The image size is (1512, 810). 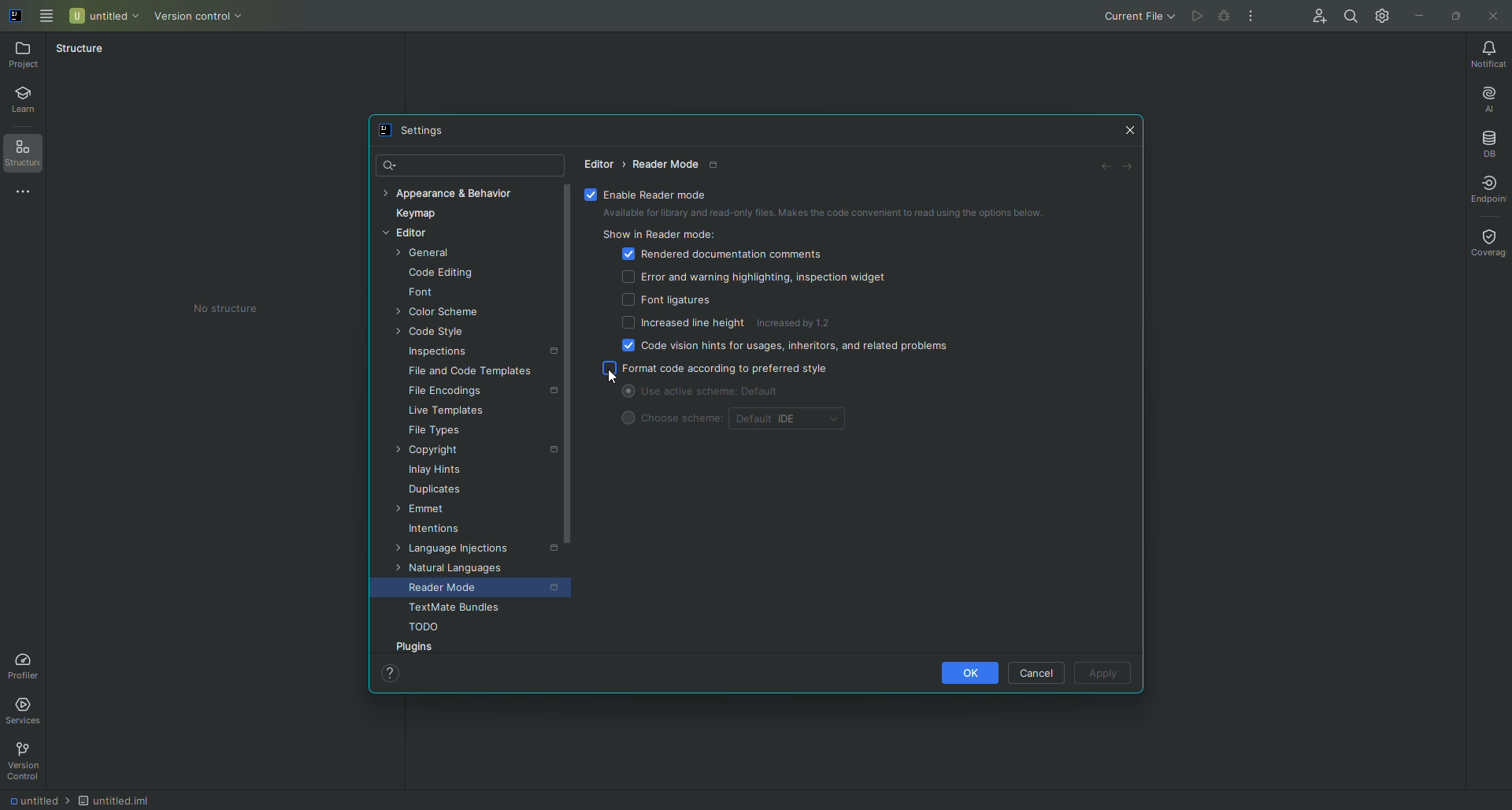 I want to click on Color Scheme, so click(x=439, y=313).